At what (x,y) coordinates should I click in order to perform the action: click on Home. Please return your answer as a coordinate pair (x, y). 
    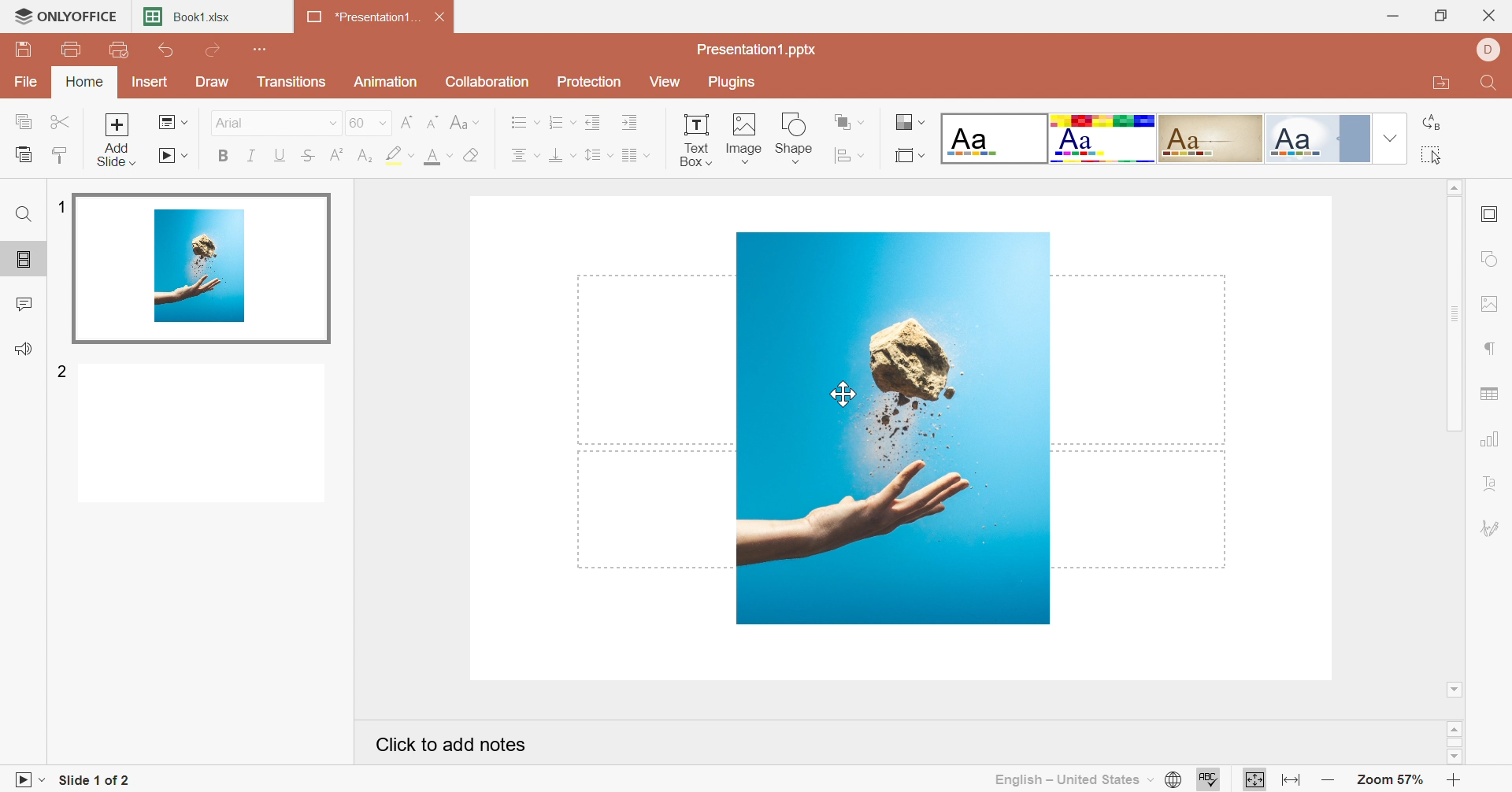
    Looking at the image, I should click on (86, 83).